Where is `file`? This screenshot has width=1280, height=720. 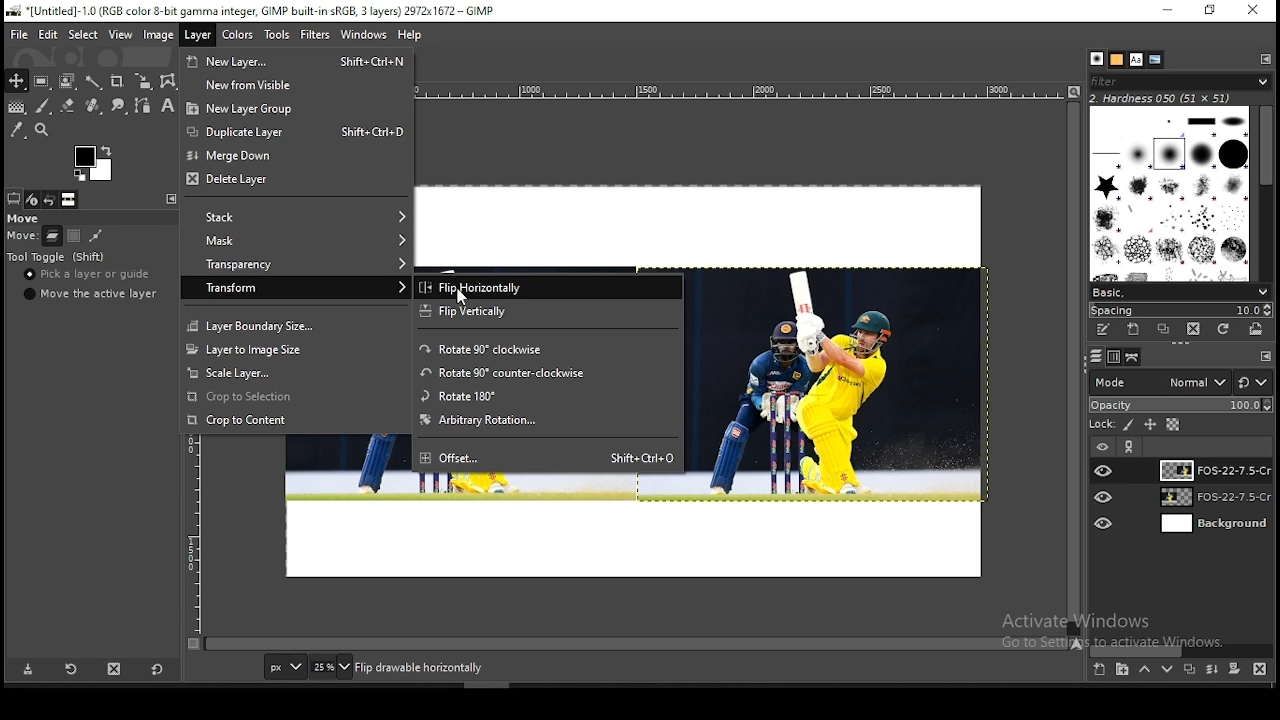 file is located at coordinates (19, 33).